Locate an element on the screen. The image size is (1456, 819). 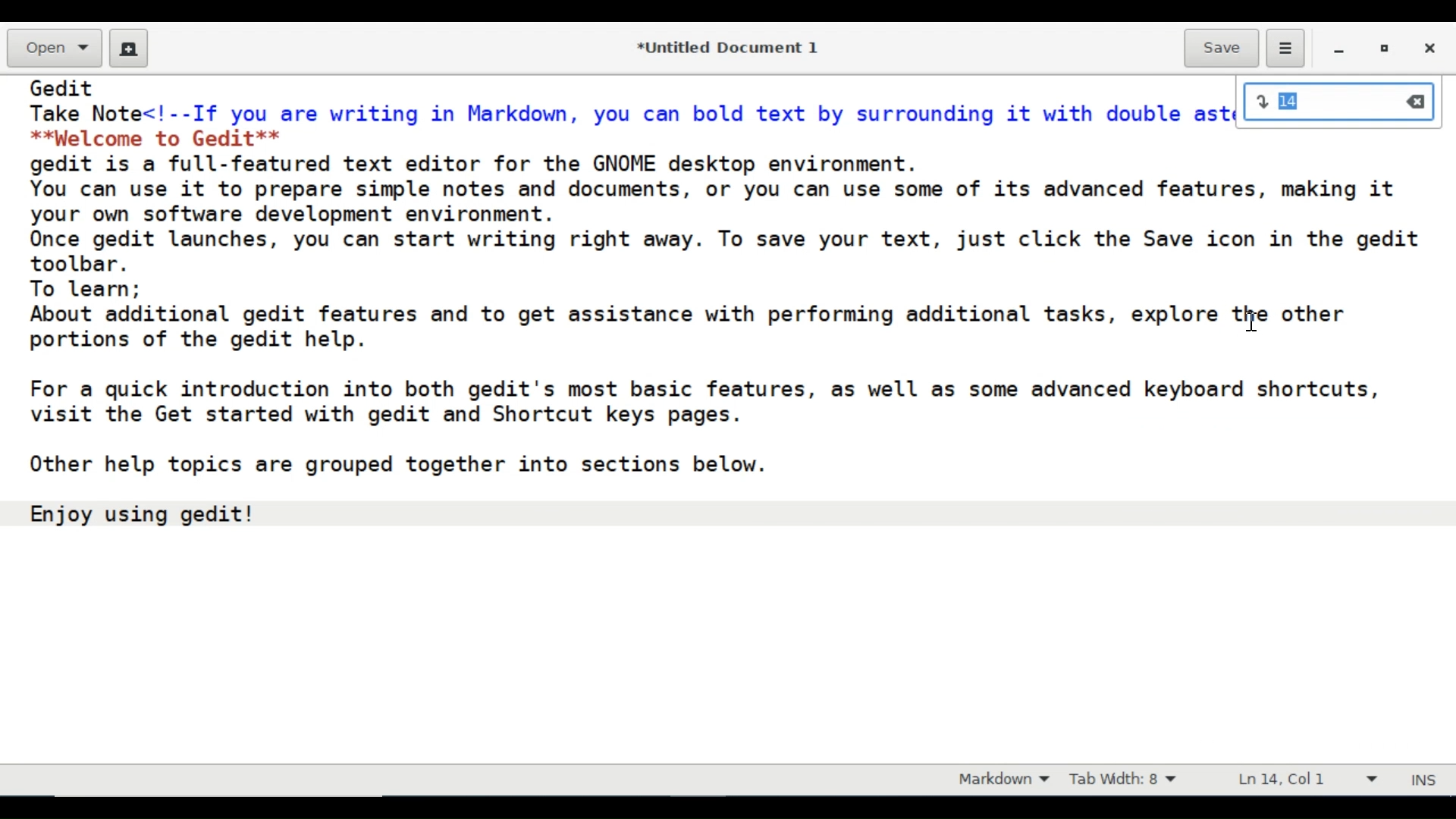
Once gedit launches, you can start writing right away. To save your text, just click the Save icon in the gedit toolbar. is located at coordinates (733, 251).